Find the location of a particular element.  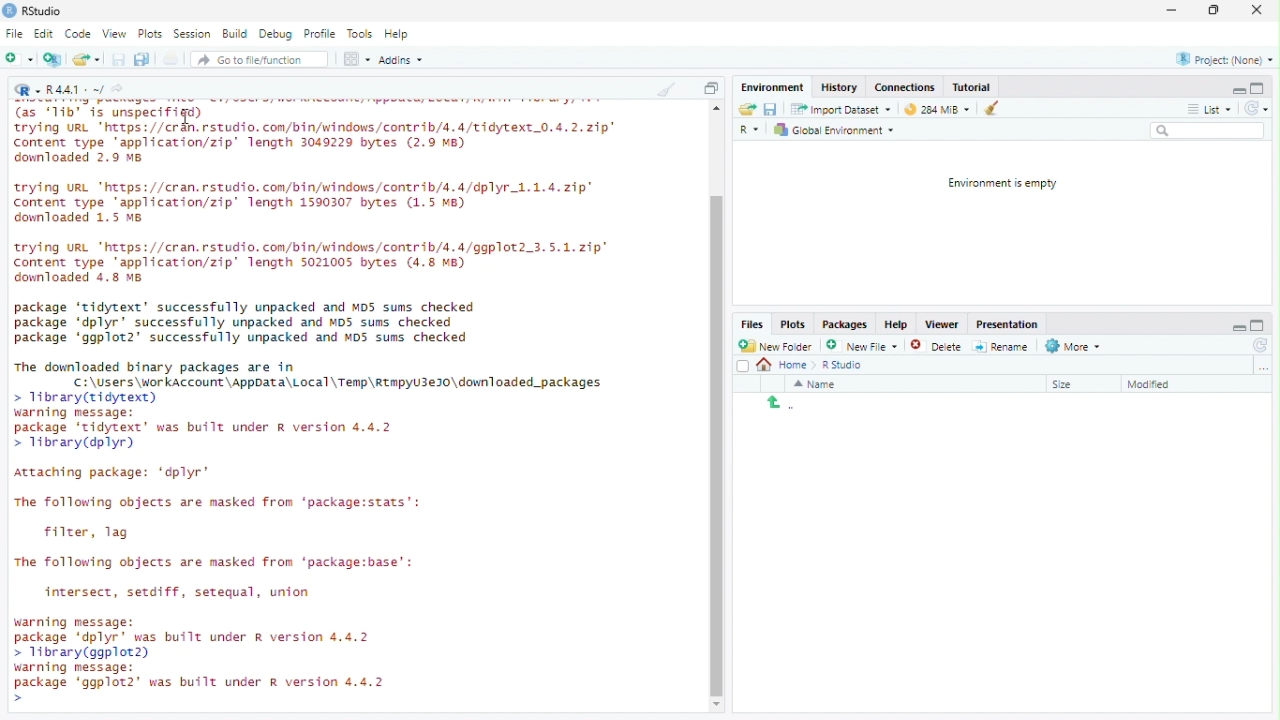

Tutorial is located at coordinates (972, 87).